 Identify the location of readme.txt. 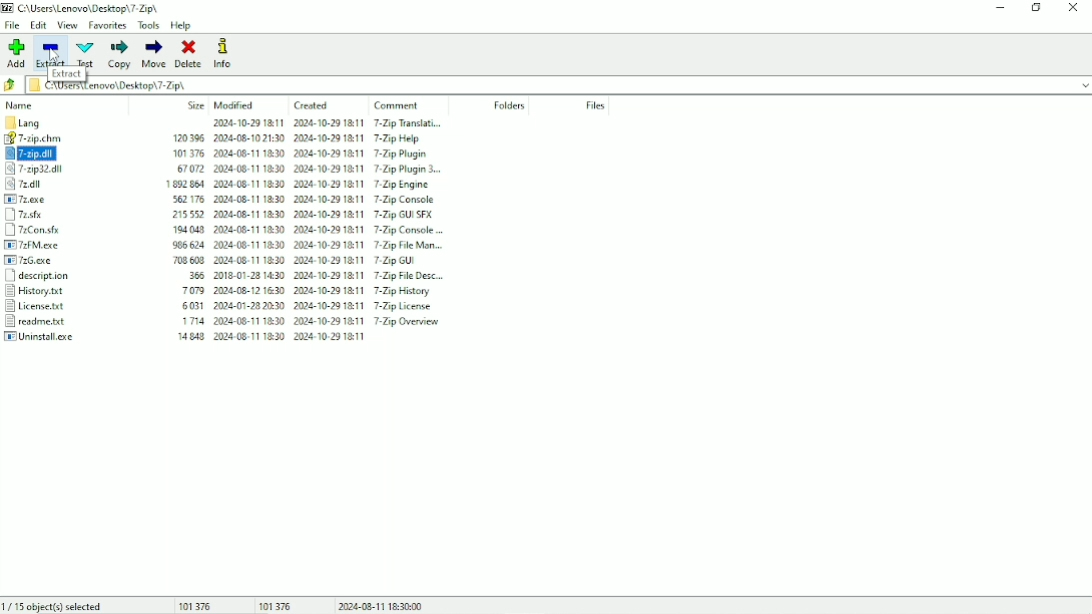
(56, 322).